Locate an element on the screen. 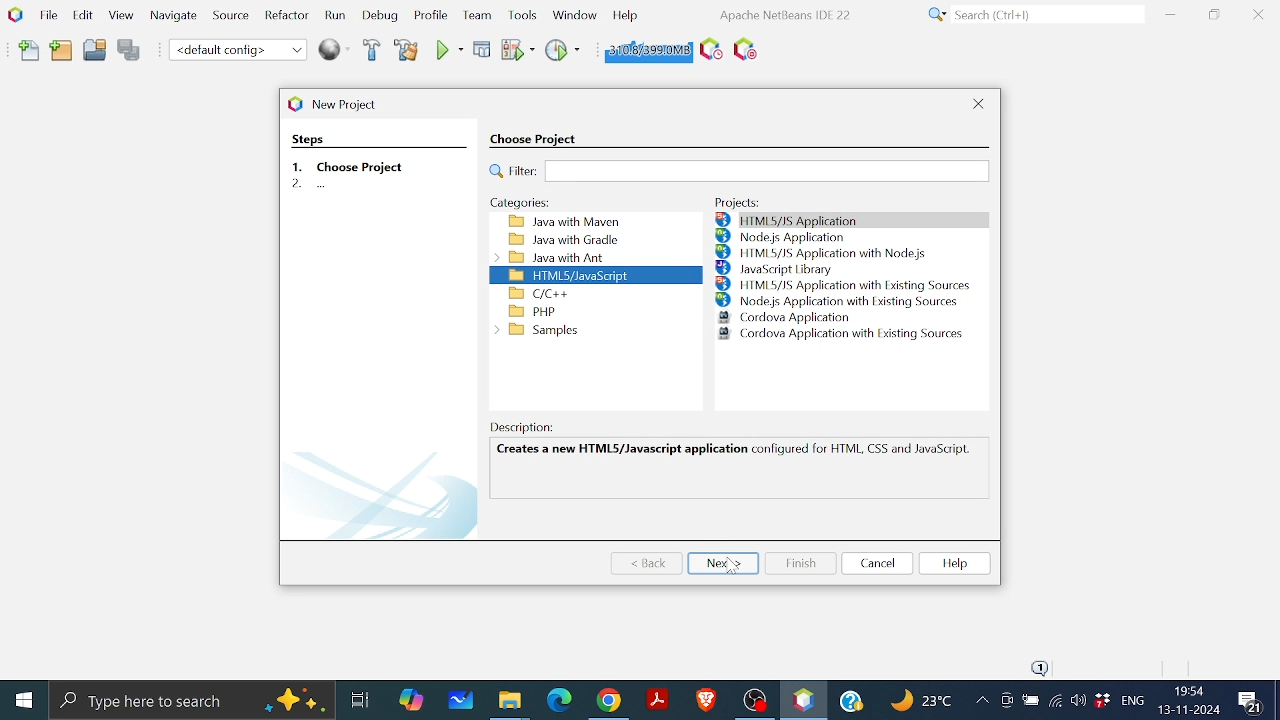  Team is located at coordinates (475, 16).